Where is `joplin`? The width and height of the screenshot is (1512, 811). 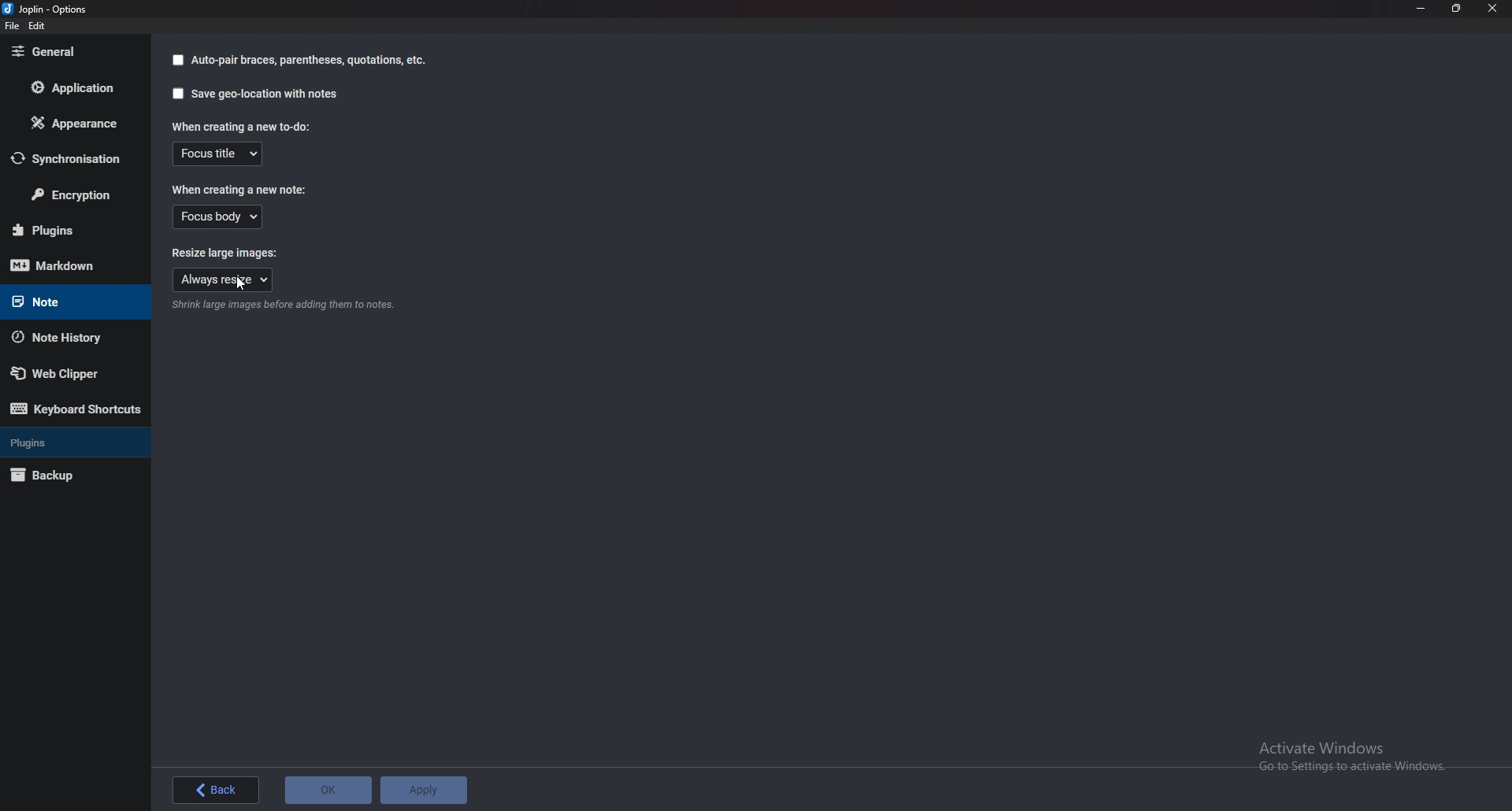
joplin is located at coordinates (48, 9).